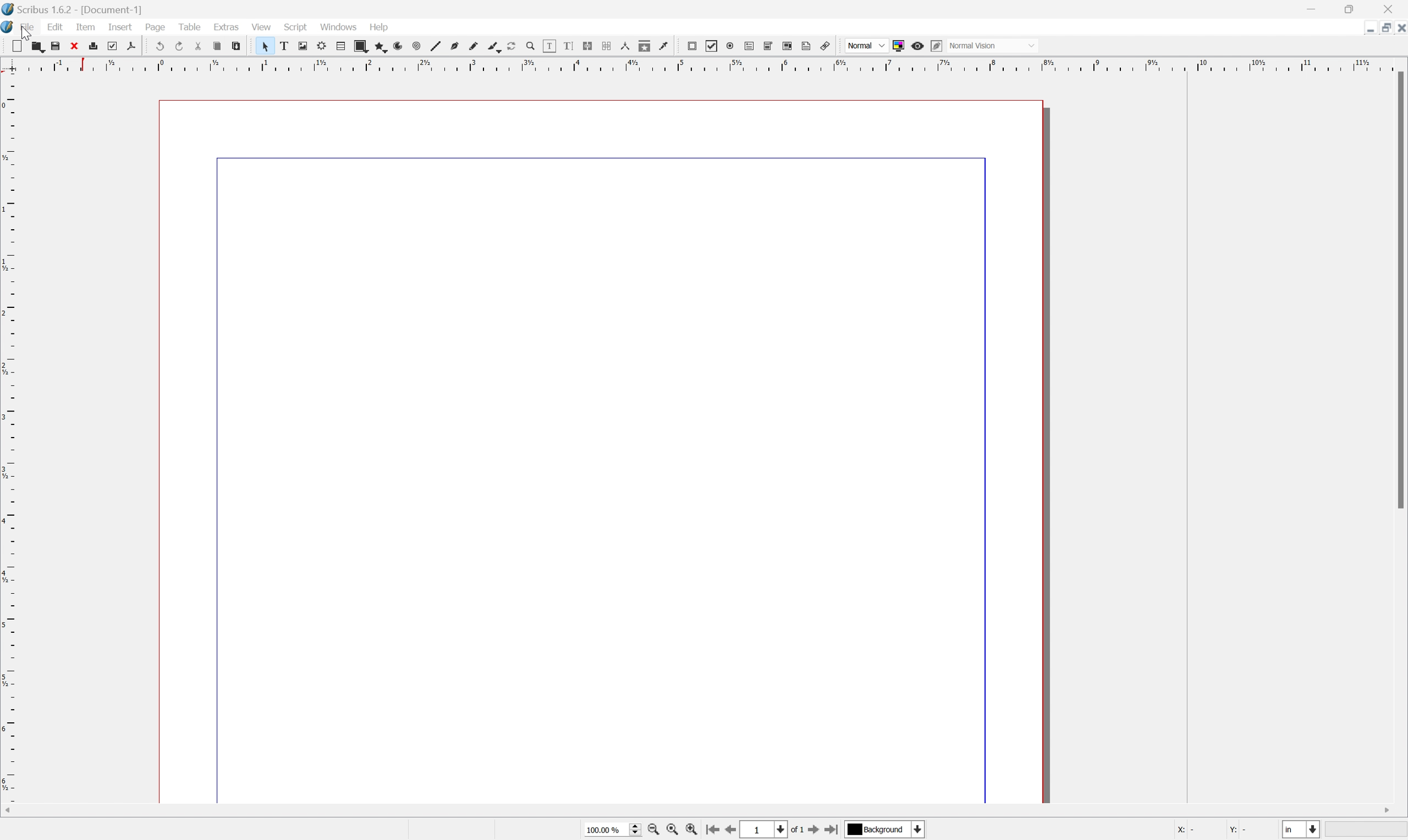 This screenshot has height=840, width=1408. Describe the element at coordinates (194, 29) in the screenshot. I see `Table` at that location.